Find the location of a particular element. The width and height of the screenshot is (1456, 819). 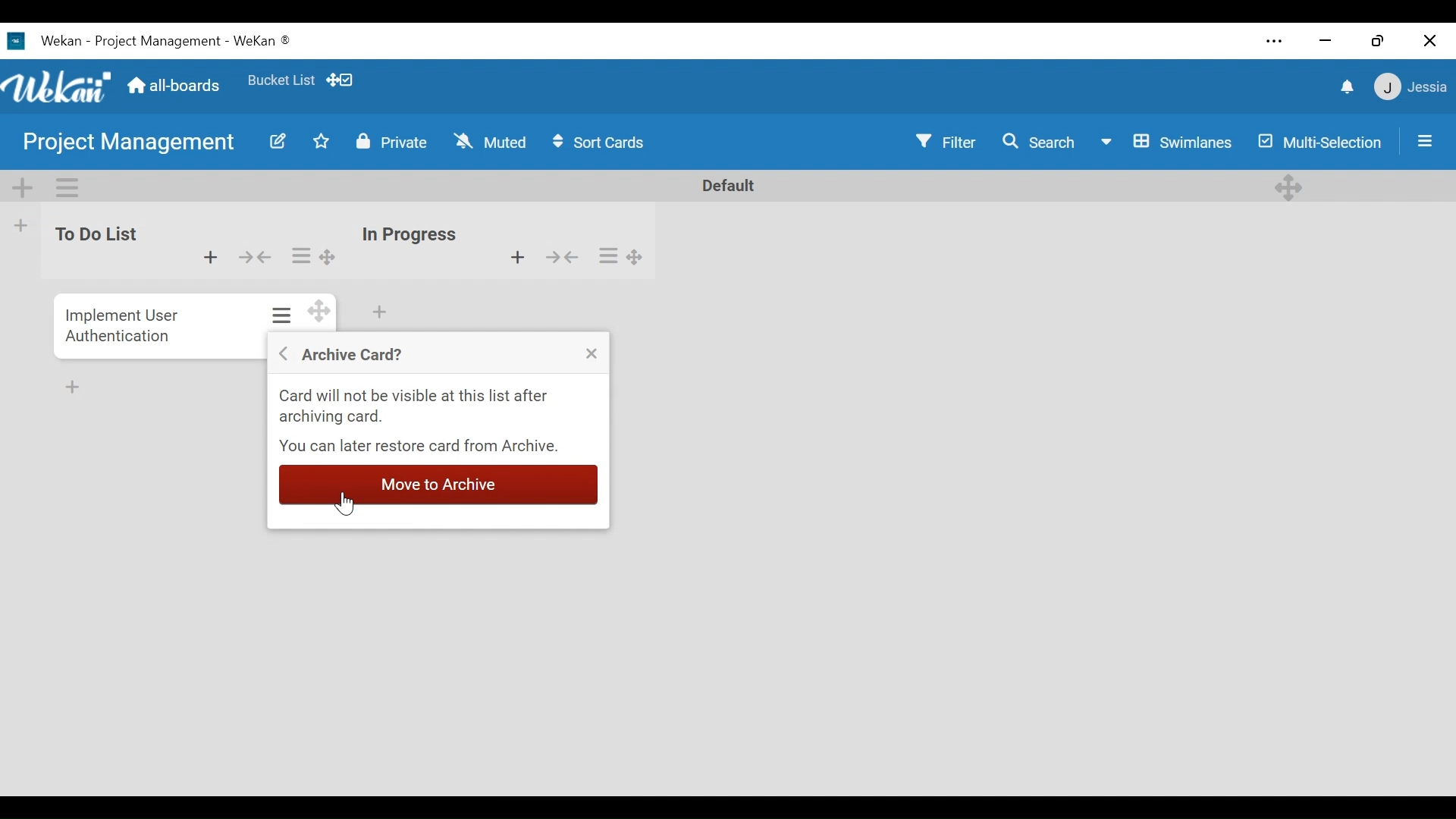

Member Settings is located at coordinates (1412, 87).